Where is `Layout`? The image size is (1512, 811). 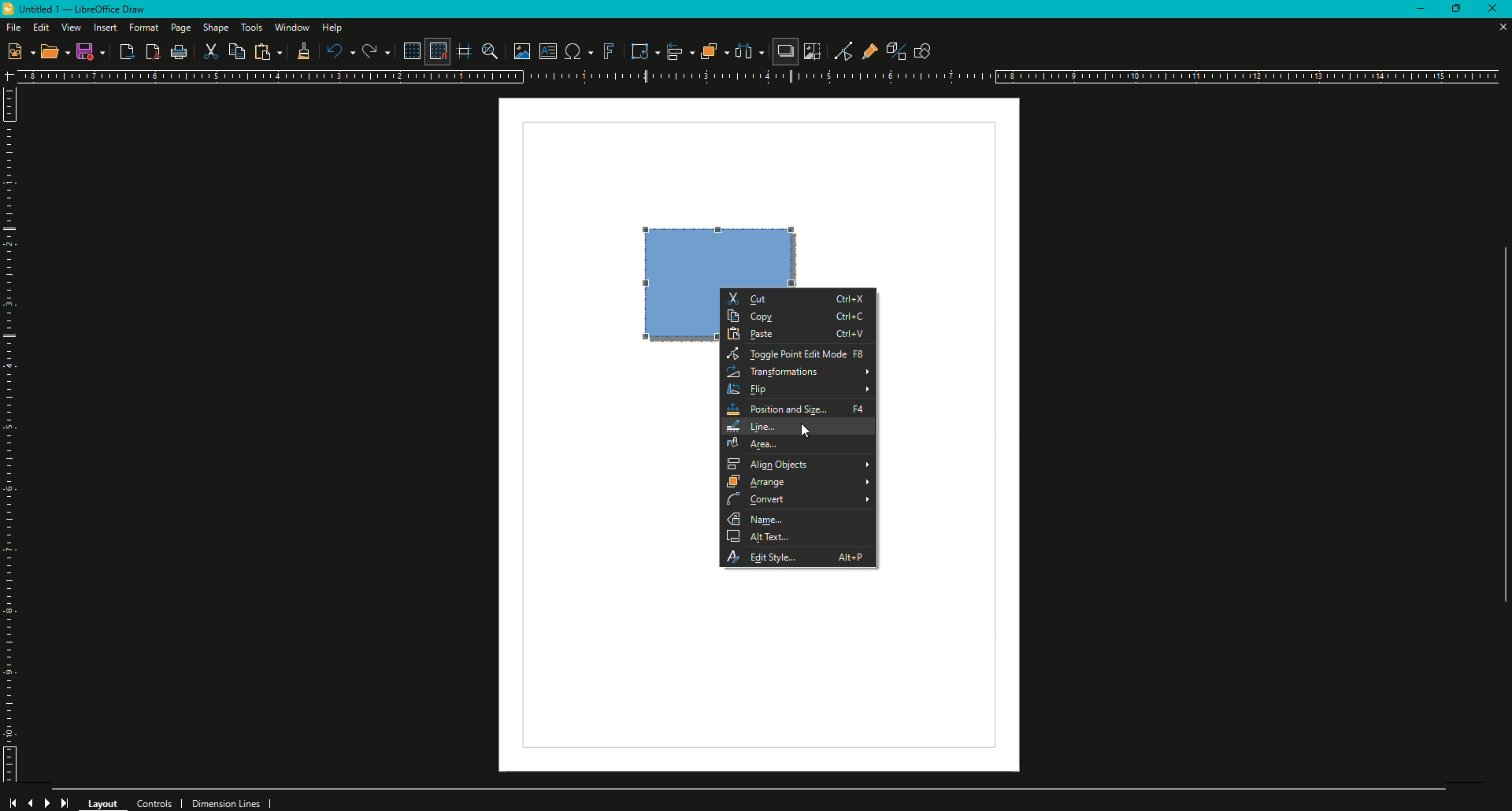 Layout is located at coordinates (104, 802).